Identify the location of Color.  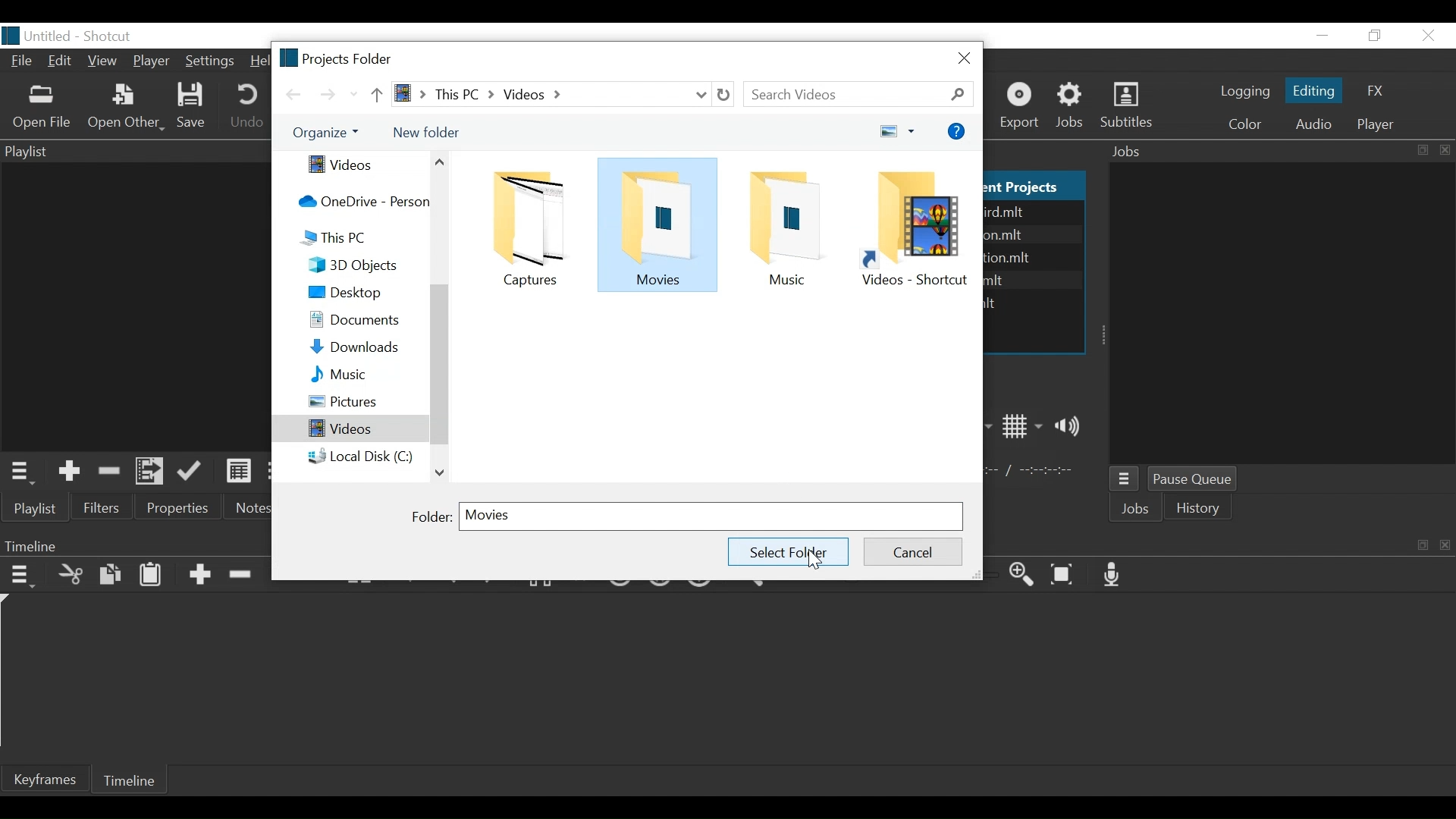
(1245, 124).